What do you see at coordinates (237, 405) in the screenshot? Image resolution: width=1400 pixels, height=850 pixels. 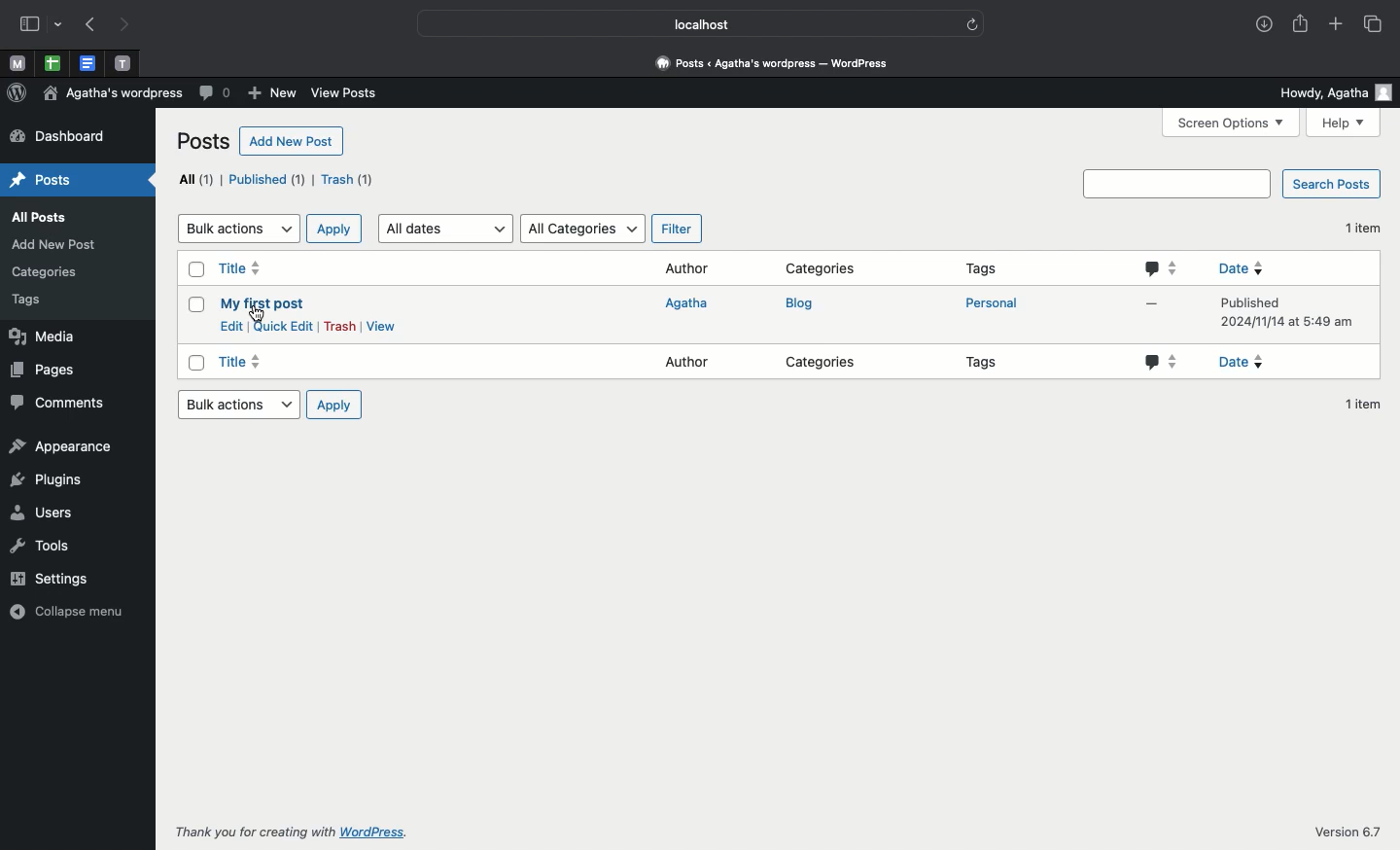 I see `Bulk actions` at bounding box center [237, 405].